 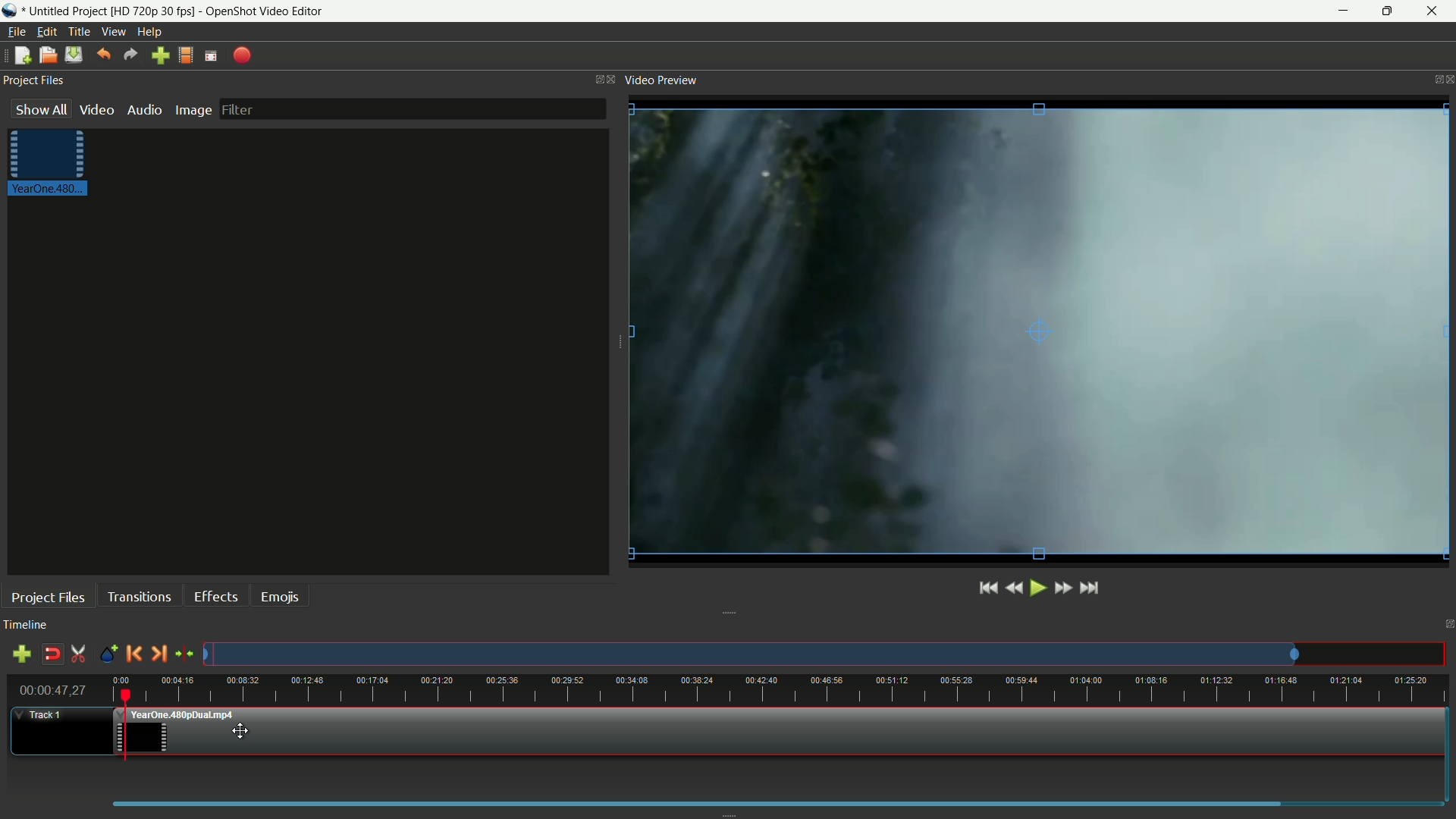 I want to click on title menu, so click(x=80, y=32).